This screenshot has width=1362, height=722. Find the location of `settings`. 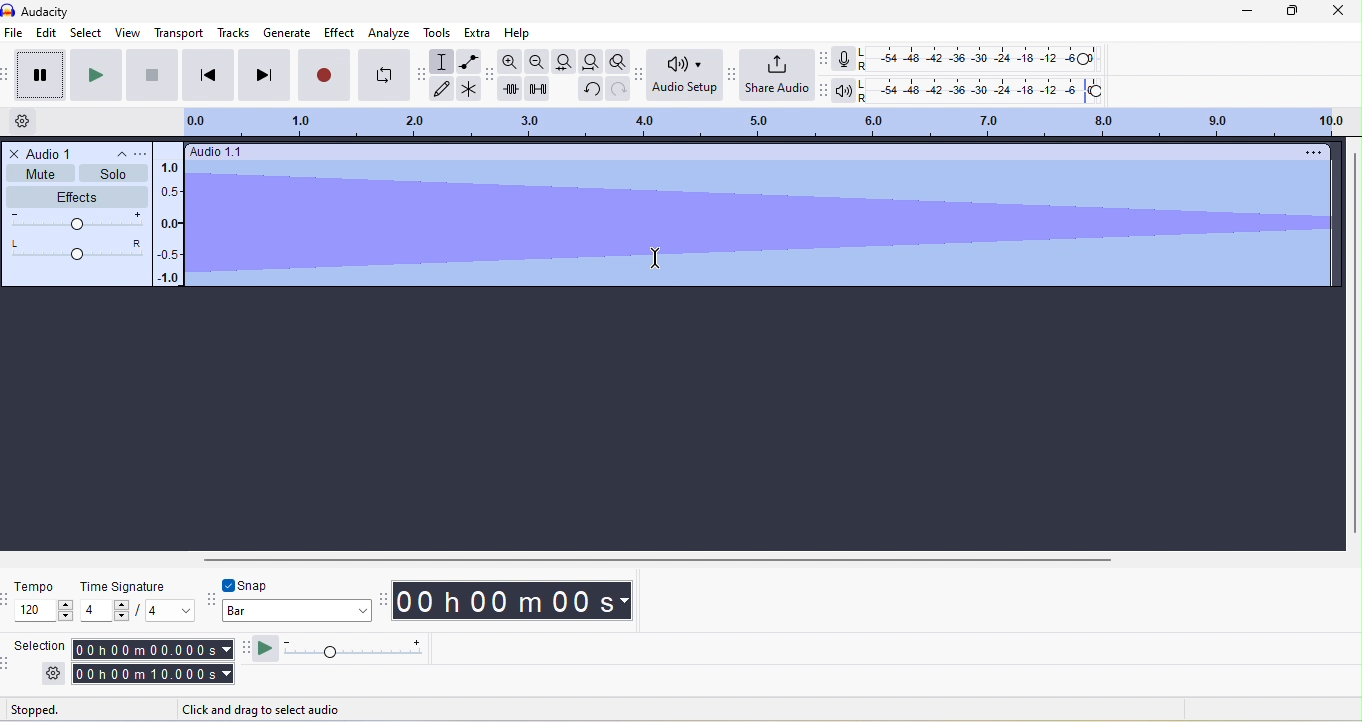

settings is located at coordinates (53, 673).